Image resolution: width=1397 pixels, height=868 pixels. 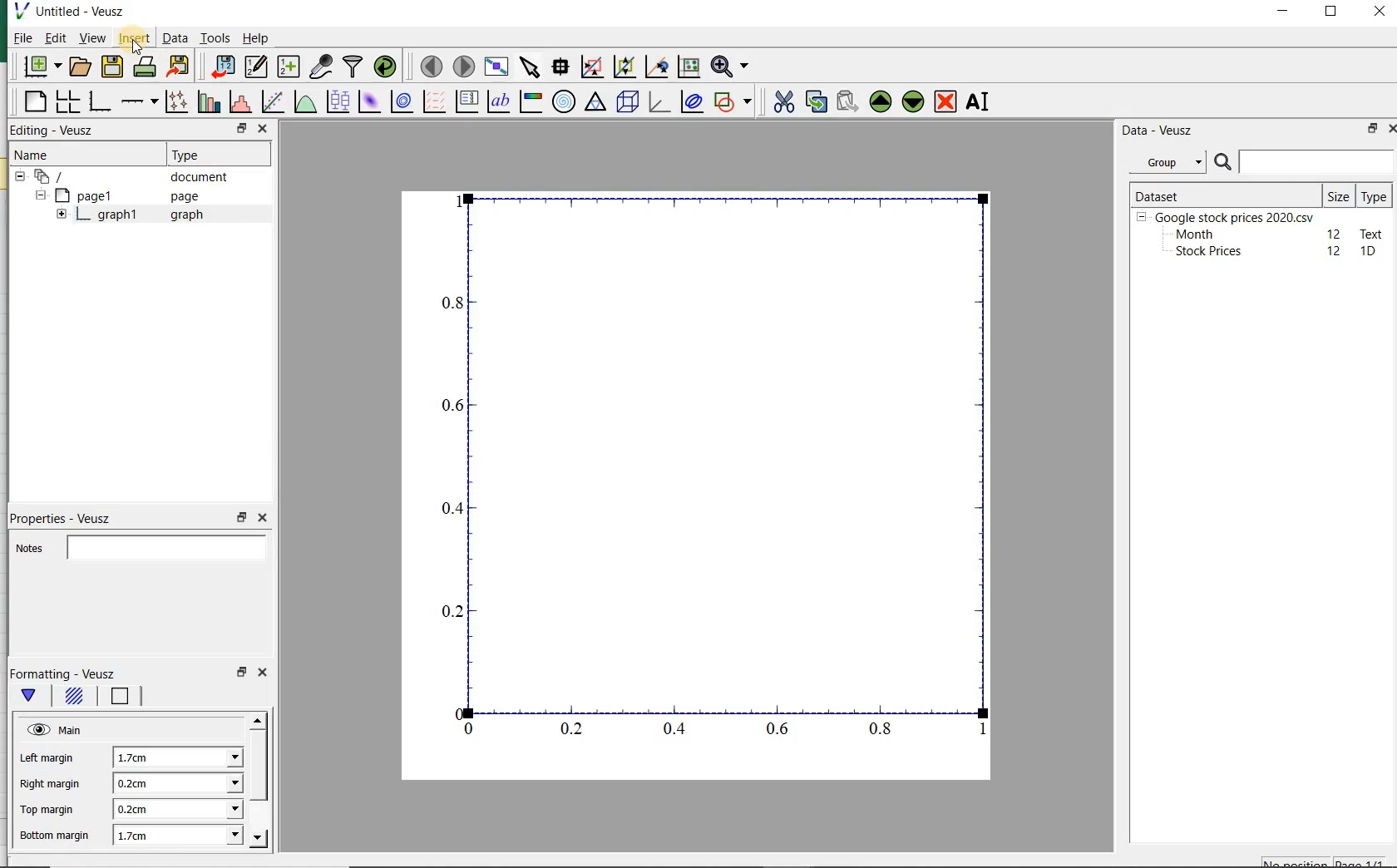 What do you see at coordinates (1369, 233) in the screenshot?
I see `text` at bounding box center [1369, 233].